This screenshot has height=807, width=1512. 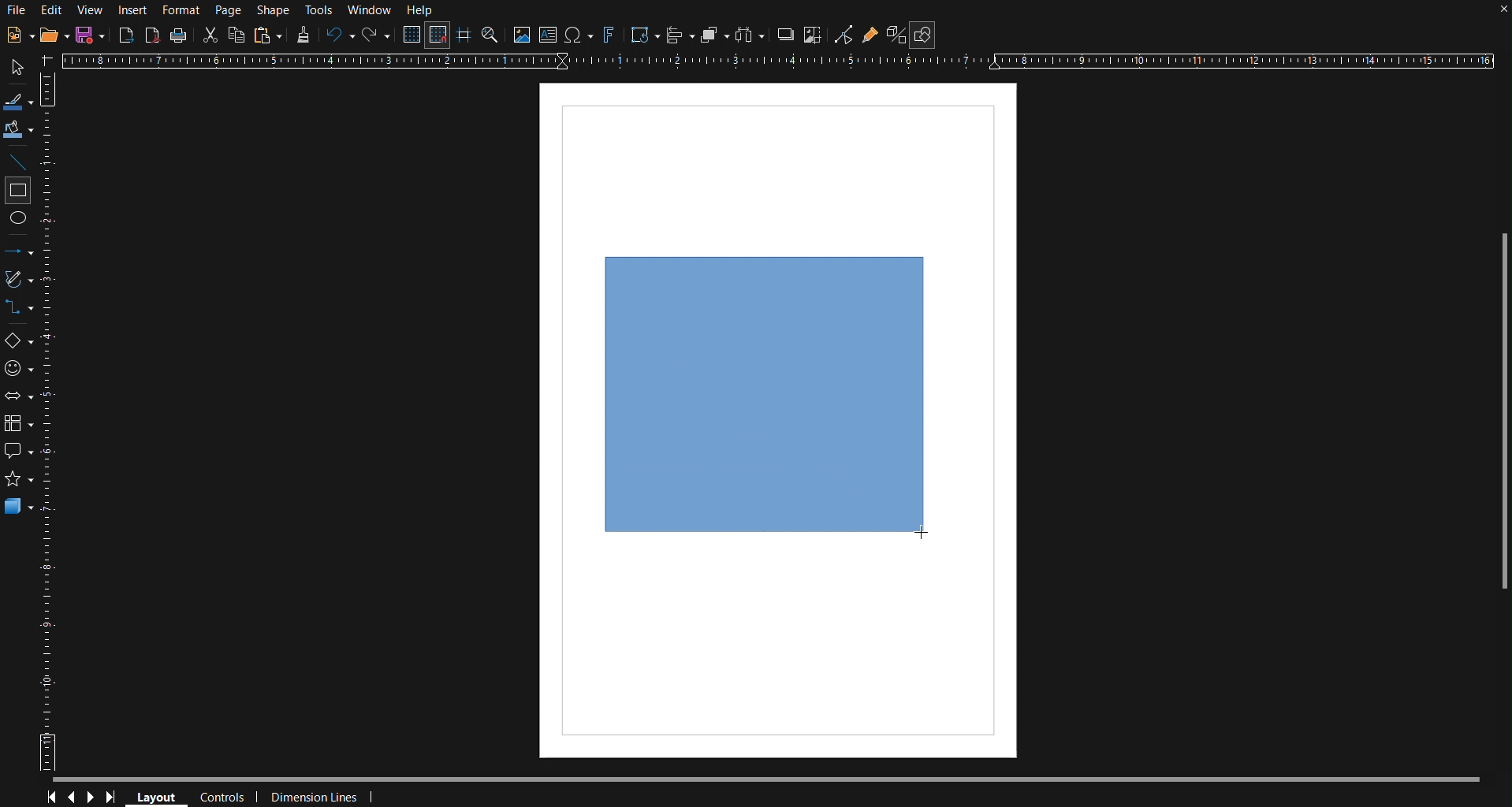 What do you see at coordinates (152, 35) in the screenshot?
I see `Export as PDF` at bounding box center [152, 35].